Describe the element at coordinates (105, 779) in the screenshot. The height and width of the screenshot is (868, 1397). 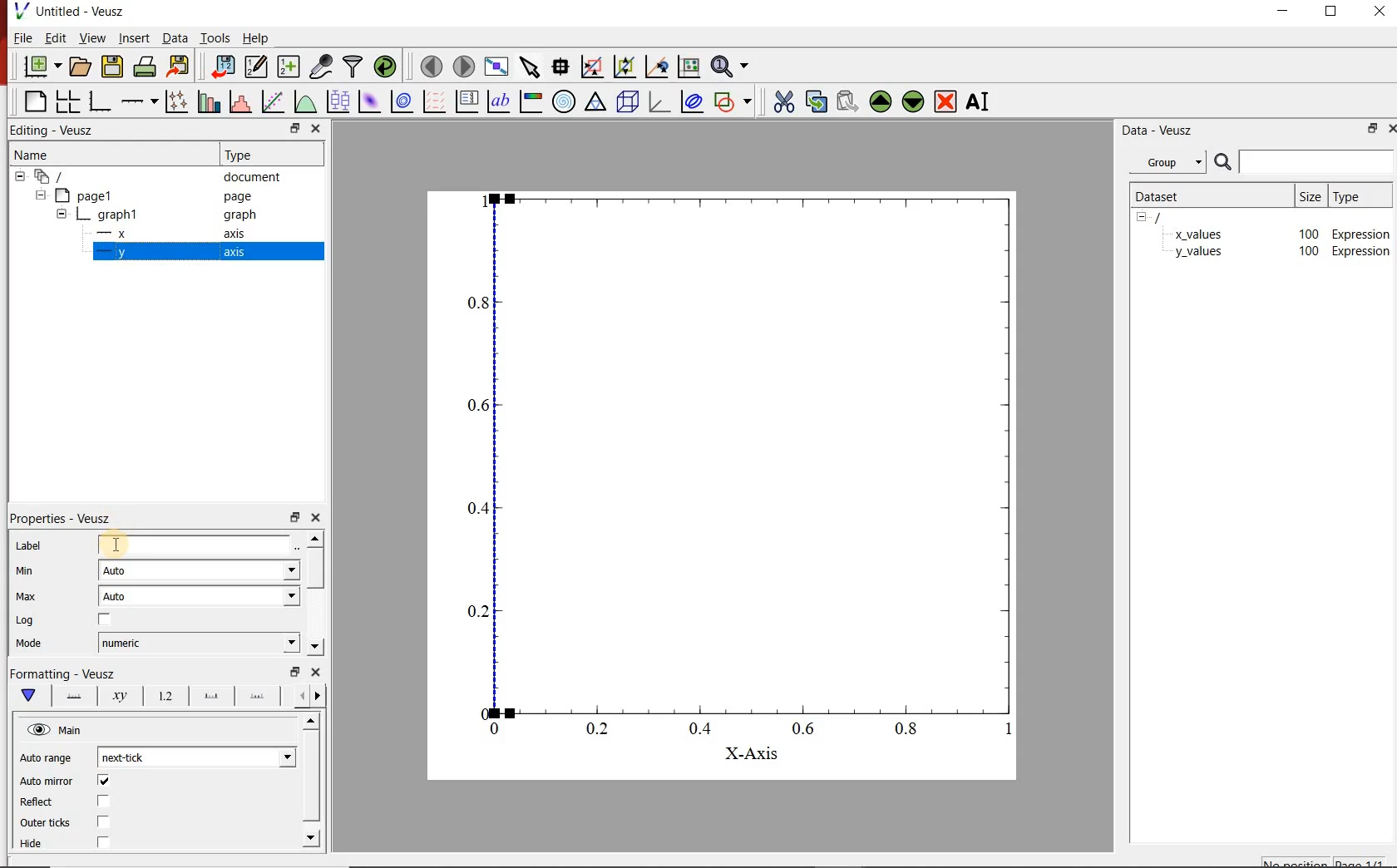
I see `checkbox` at that location.